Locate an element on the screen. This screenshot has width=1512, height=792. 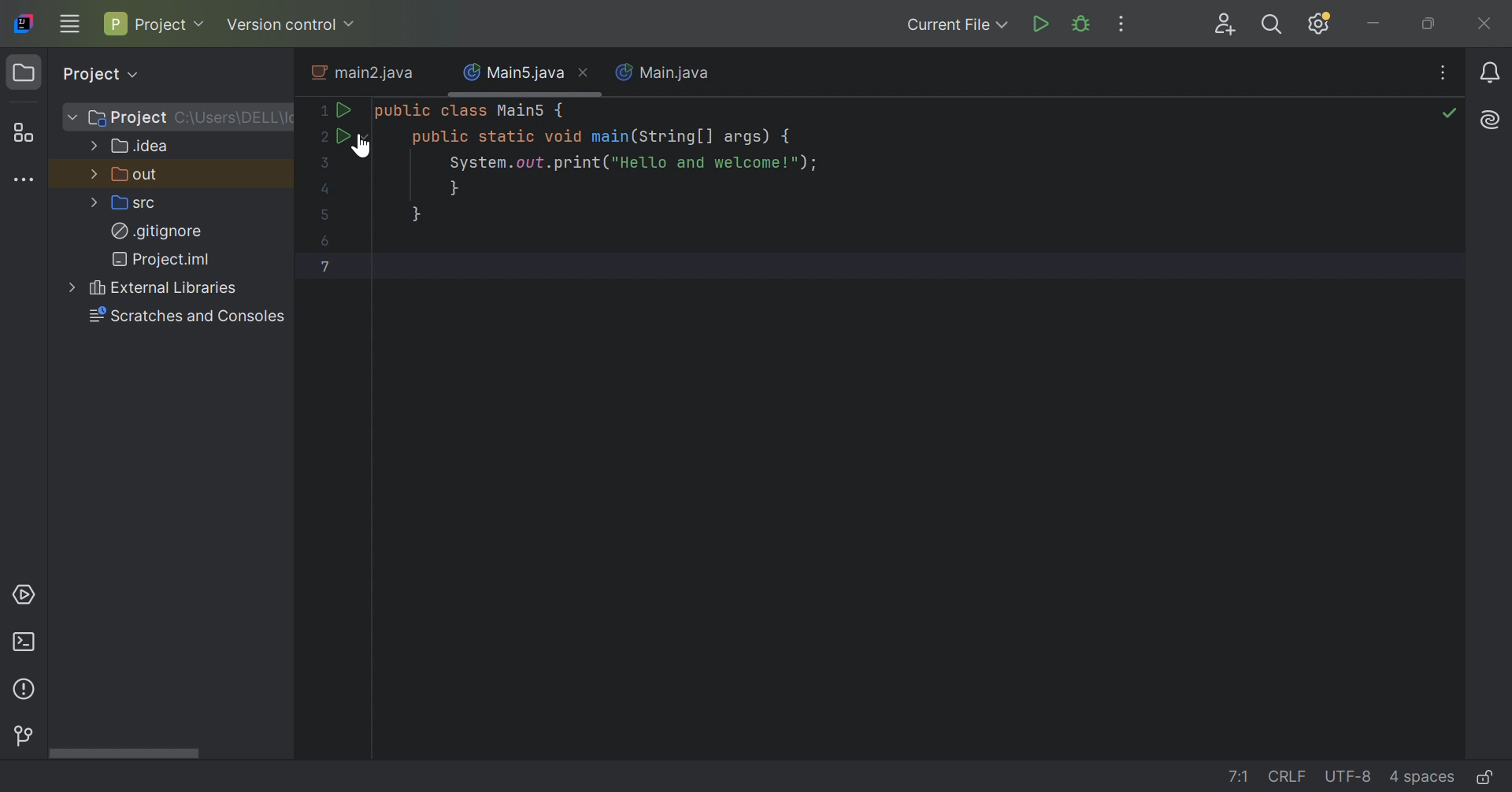
} is located at coordinates (456, 188).